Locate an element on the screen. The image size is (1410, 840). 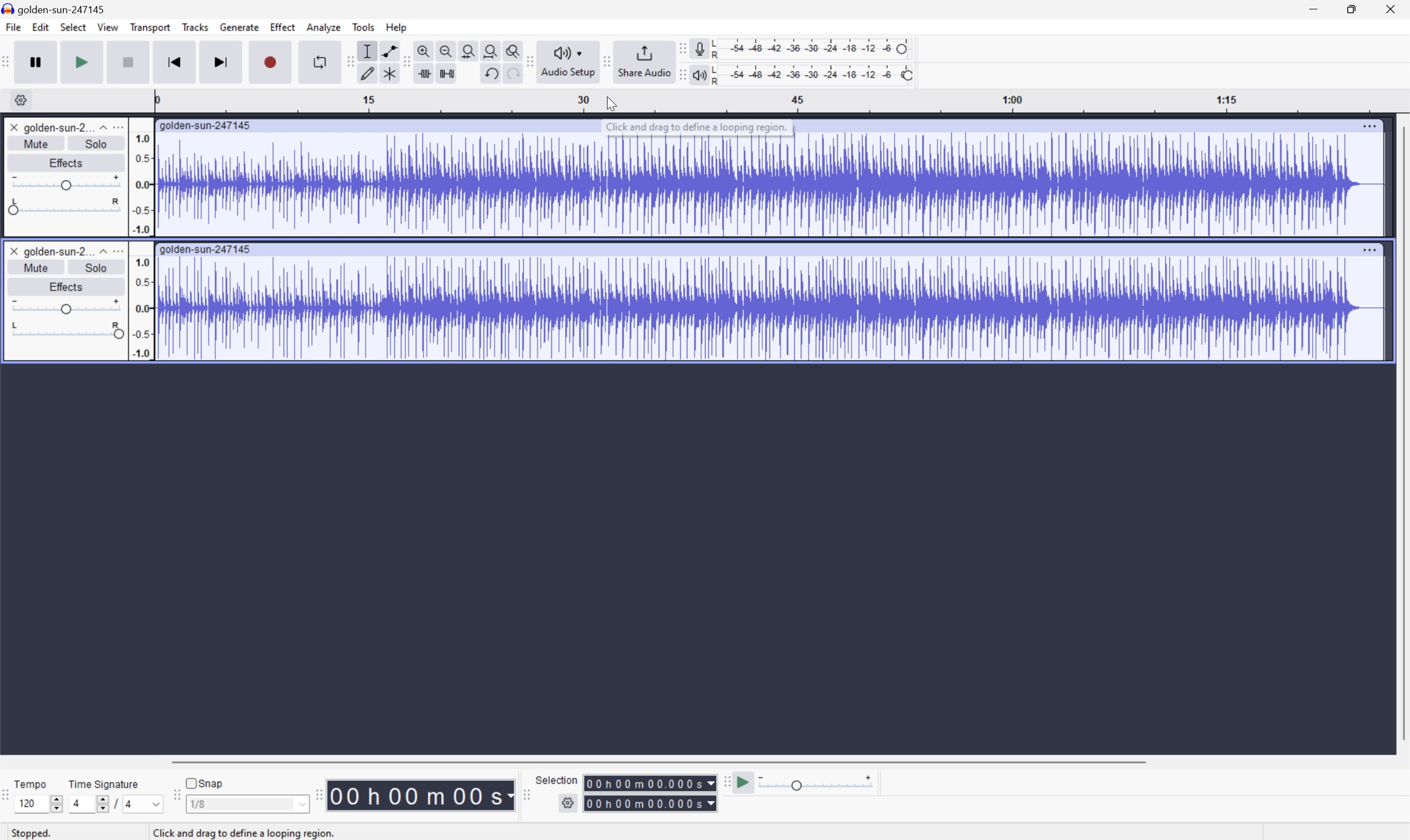
Share Audio is located at coordinates (641, 59).